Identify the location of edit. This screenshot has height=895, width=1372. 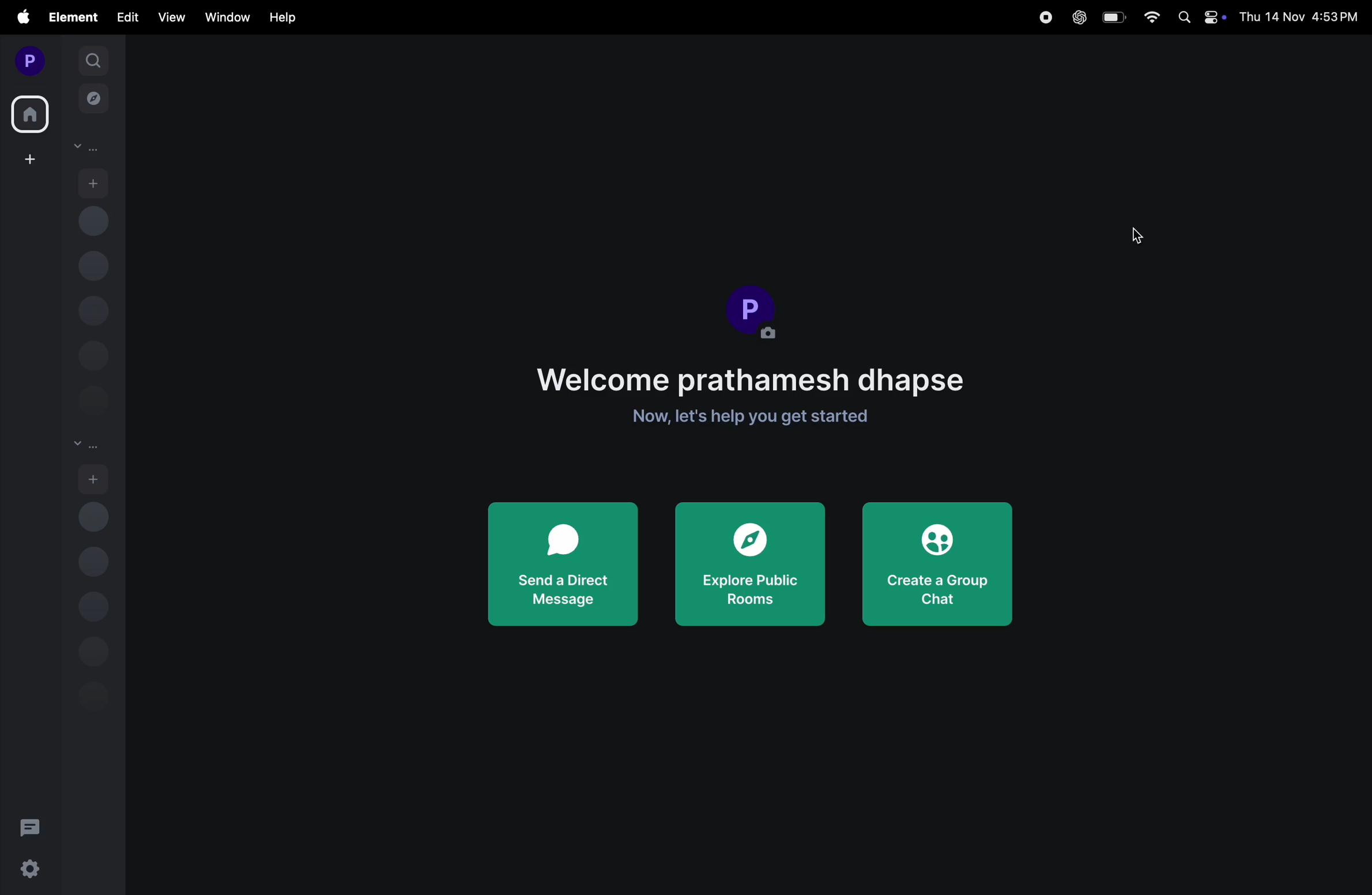
(124, 19).